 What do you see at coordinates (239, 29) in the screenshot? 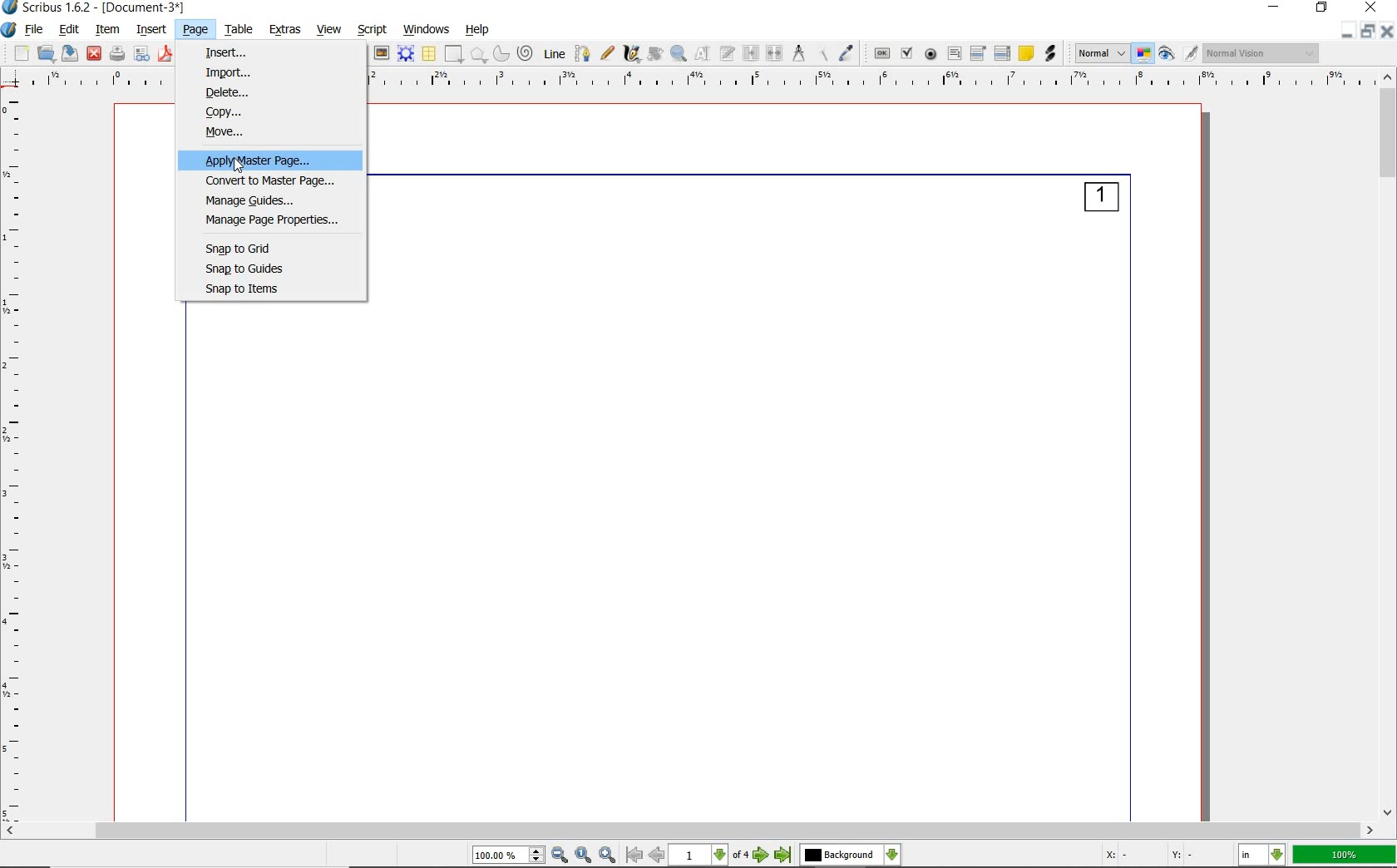
I see `table` at bounding box center [239, 29].